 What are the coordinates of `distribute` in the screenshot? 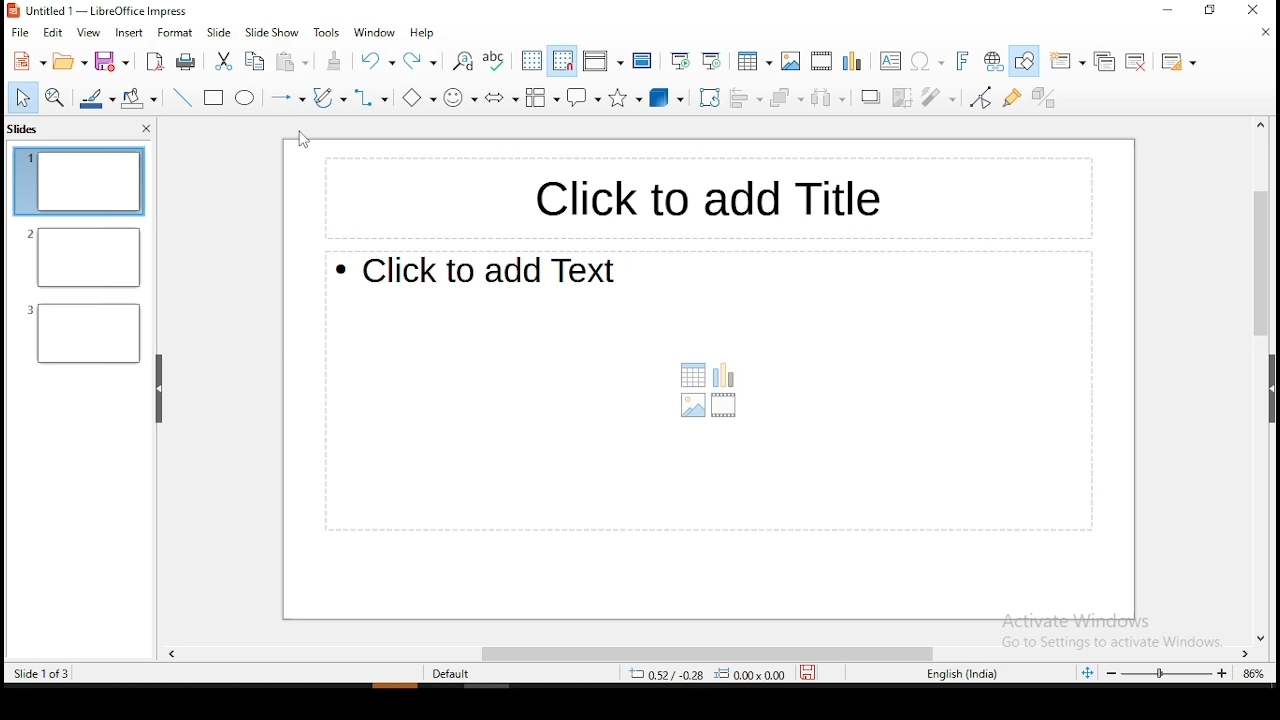 It's located at (828, 96).